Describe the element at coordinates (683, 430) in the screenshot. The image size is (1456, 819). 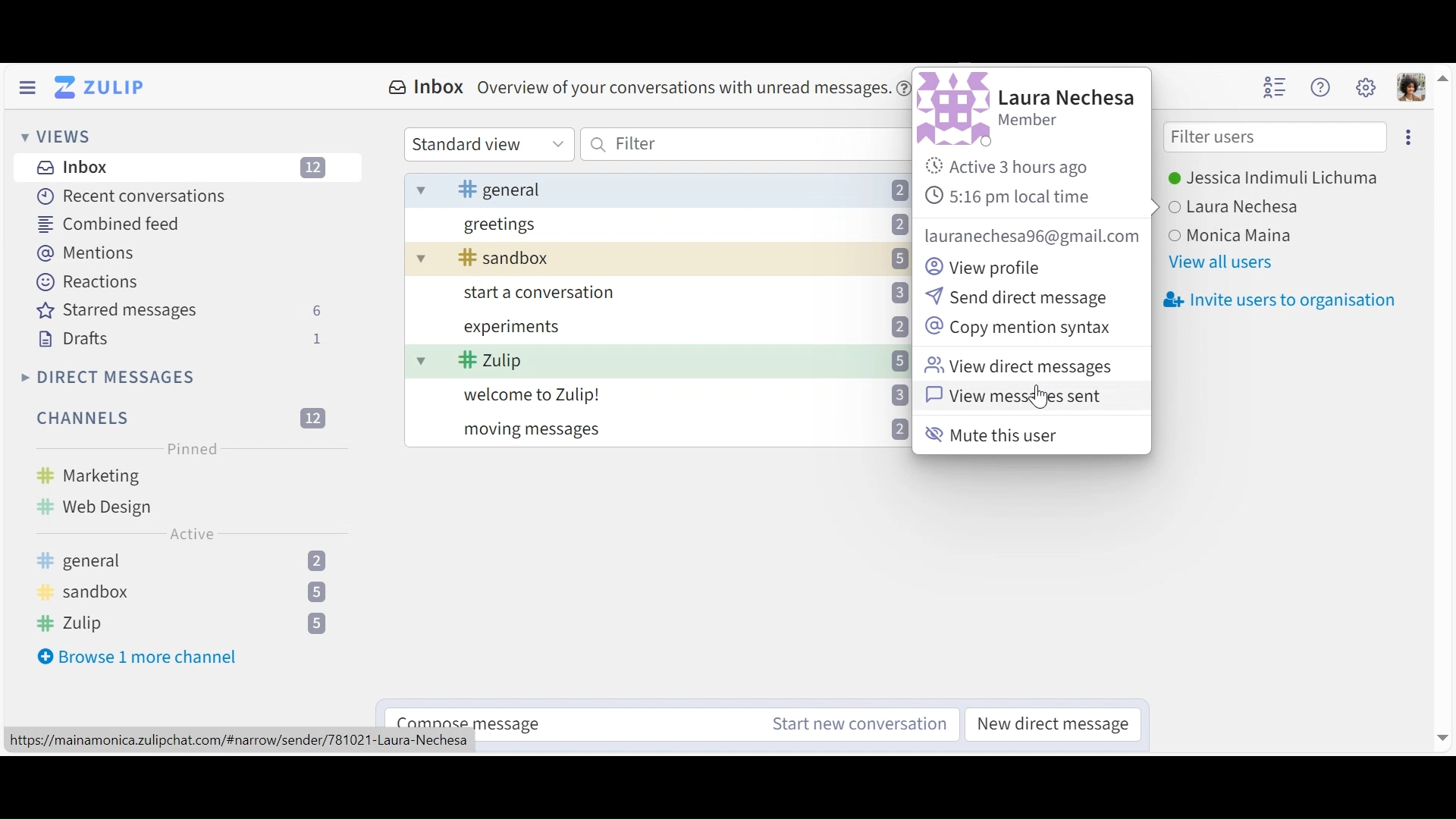
I see `moving messages` at that location.